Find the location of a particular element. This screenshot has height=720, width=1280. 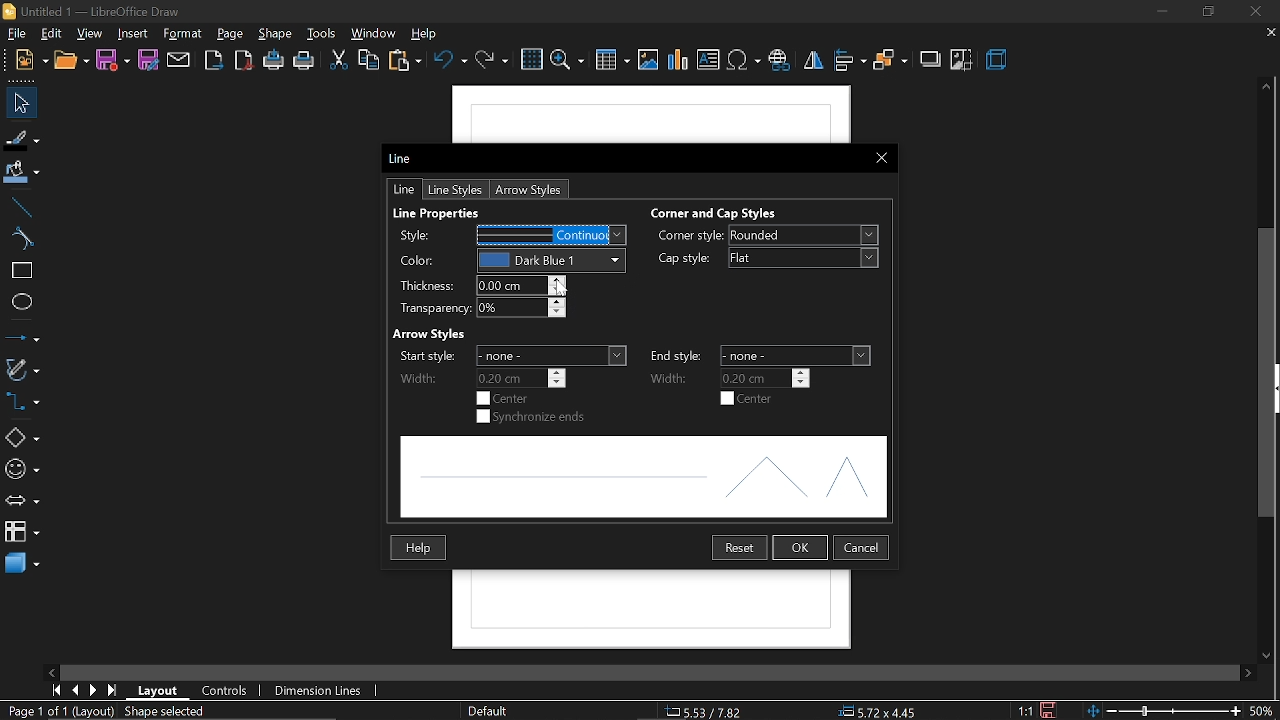

line style is located at coordinates (454, 189).